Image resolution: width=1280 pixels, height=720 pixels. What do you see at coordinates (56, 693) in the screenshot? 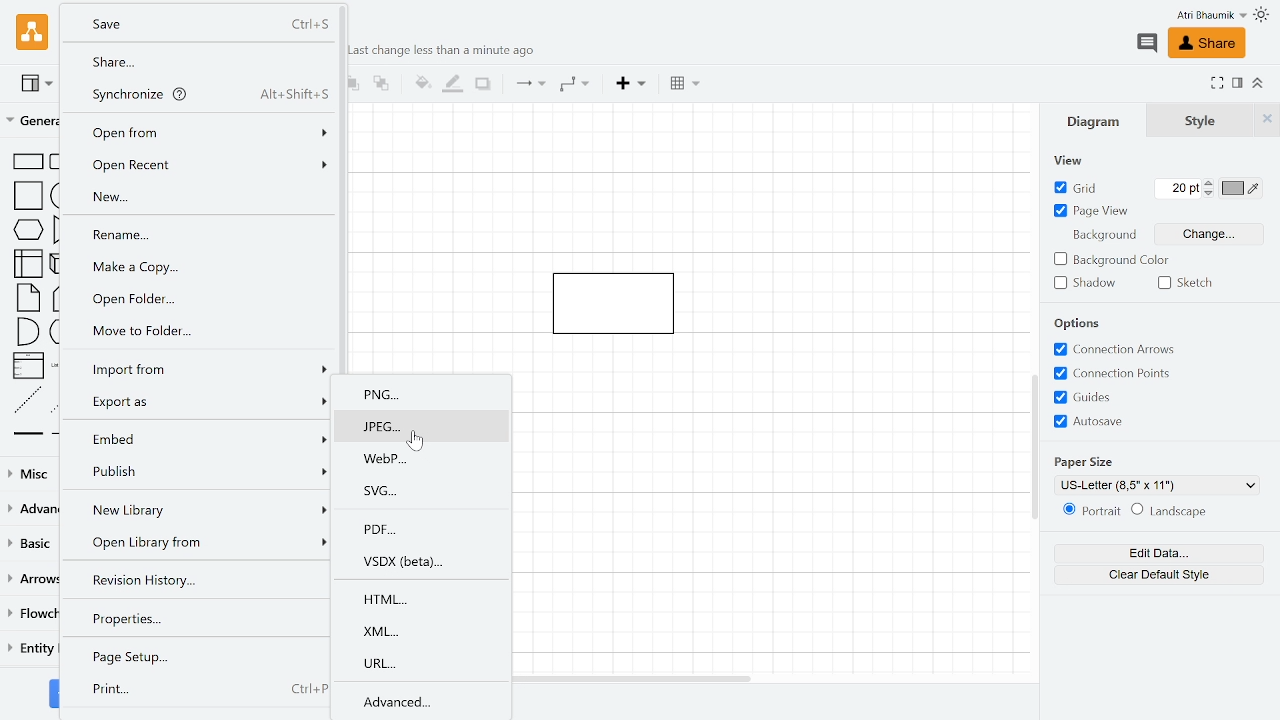
I see `More shapes` at bounding box center [56, 693].